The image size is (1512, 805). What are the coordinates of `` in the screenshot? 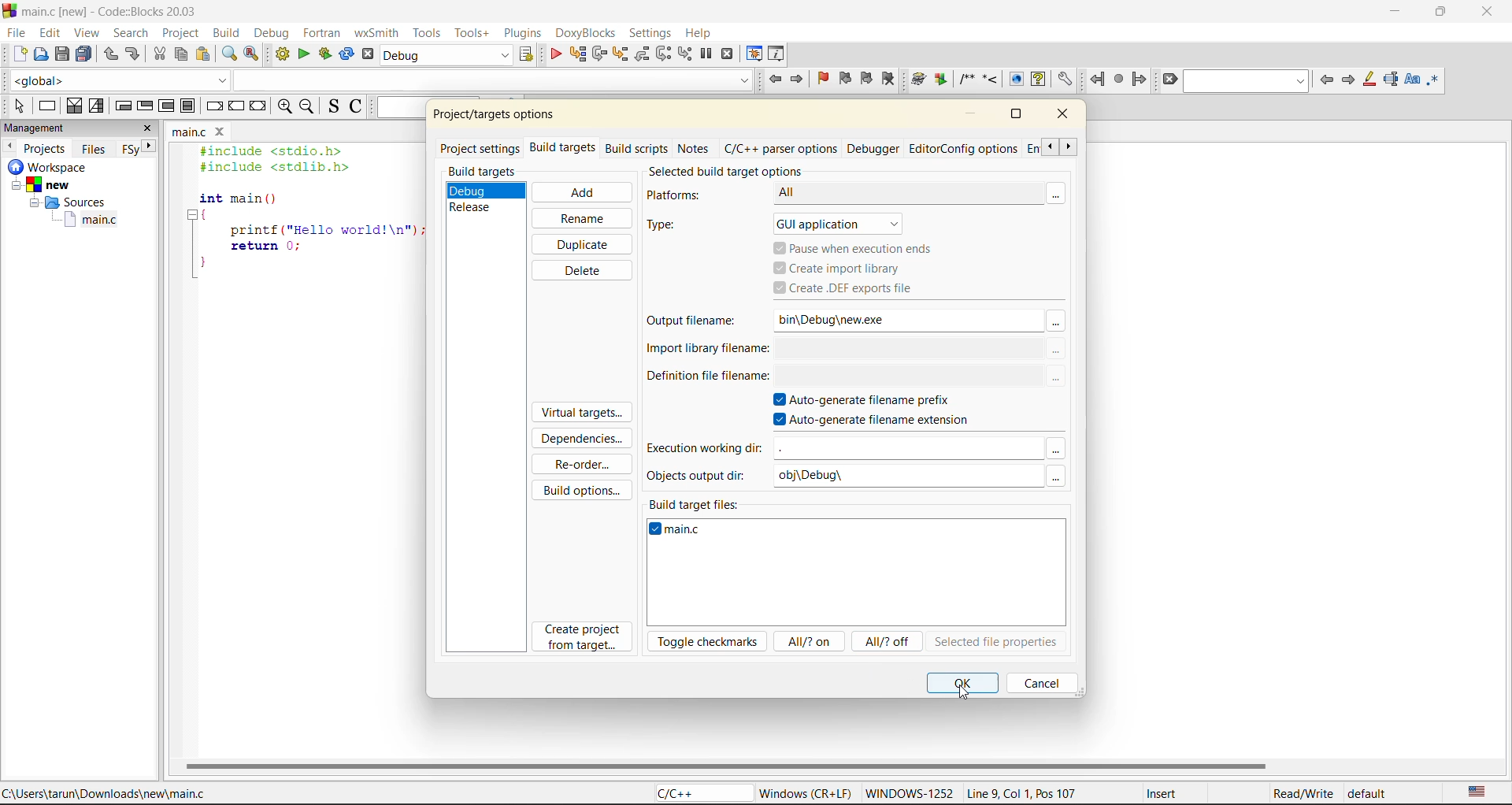 It's located at (1056, 448).